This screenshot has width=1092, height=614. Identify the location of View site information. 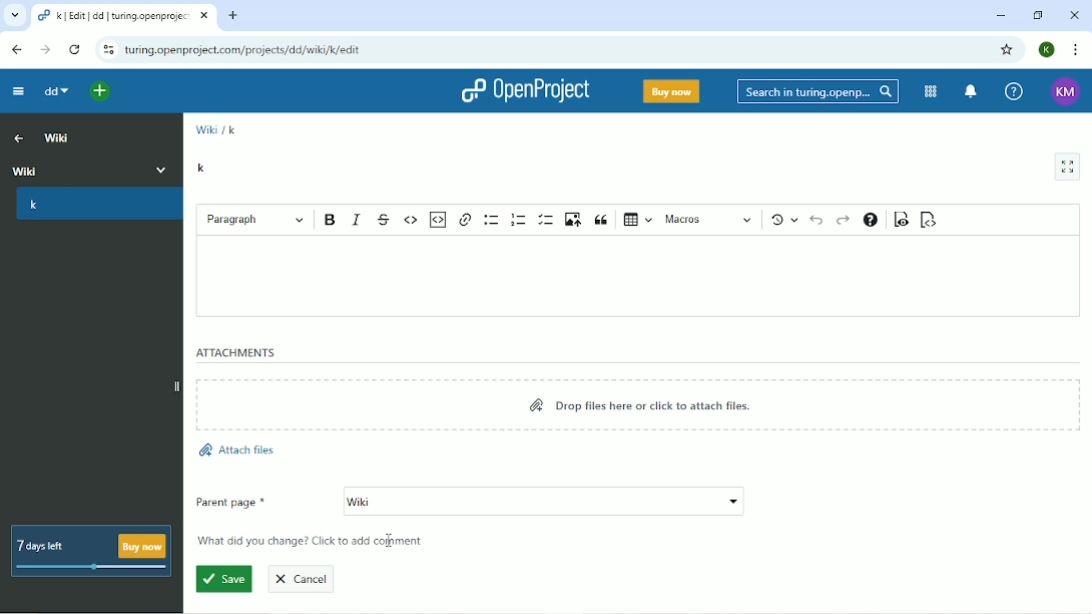
(109, 50).